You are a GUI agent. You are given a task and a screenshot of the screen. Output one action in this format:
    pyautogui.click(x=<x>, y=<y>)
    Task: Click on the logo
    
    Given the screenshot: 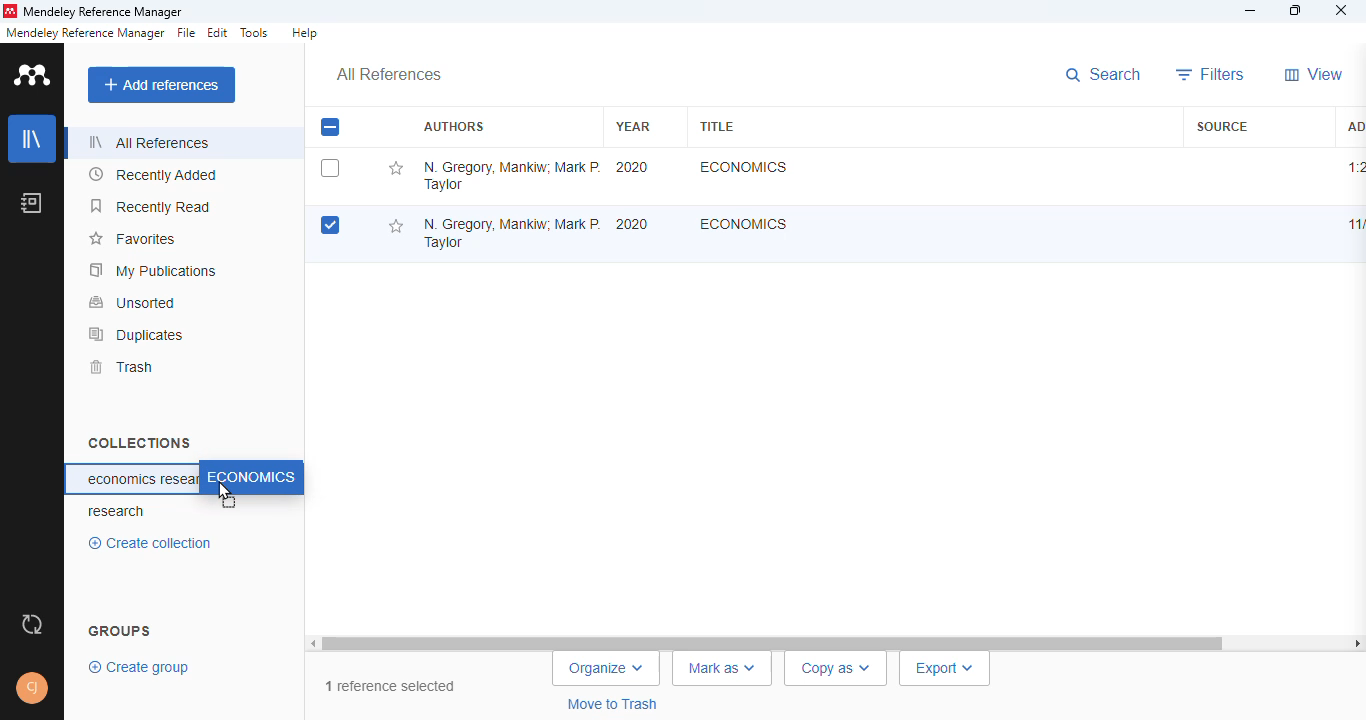 What is the action you would take?
    pyautogui.click(x=9, y=11)
    